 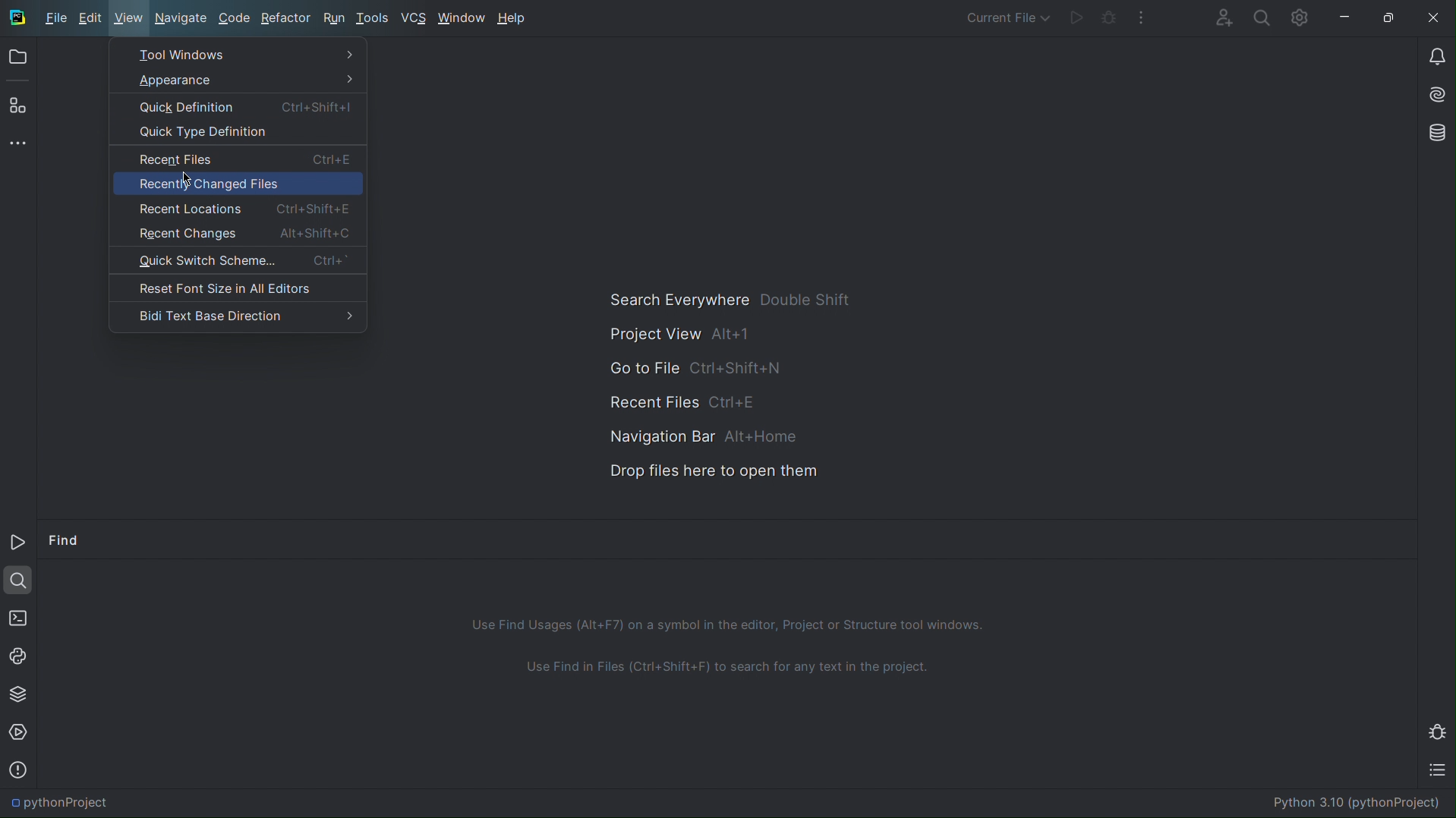 I want to click on Quick Switch Scheme, so click(x=237, y=263).